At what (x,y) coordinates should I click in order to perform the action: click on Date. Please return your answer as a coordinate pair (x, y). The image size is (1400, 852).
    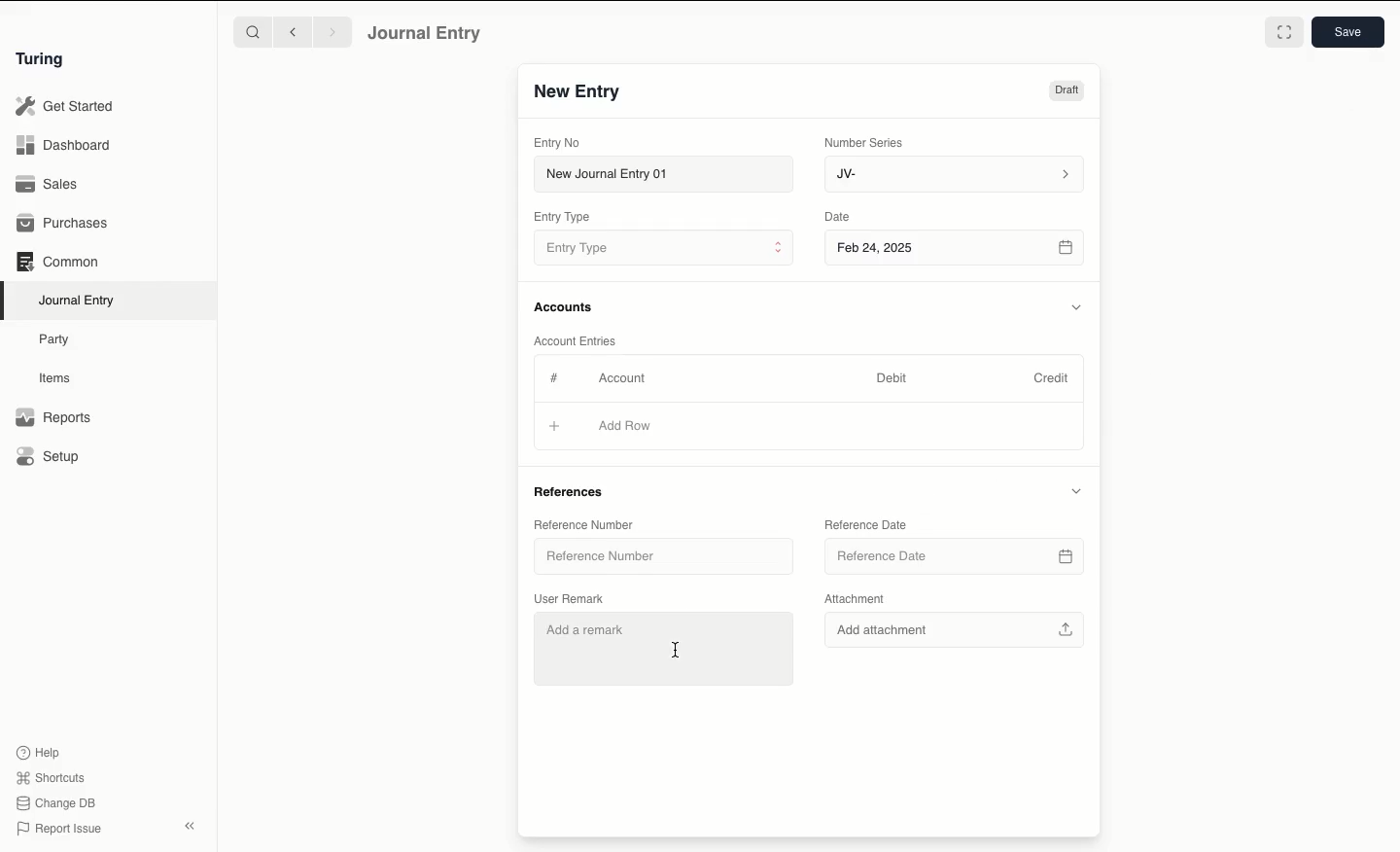
    Looking at the image, I should click on (840, 216).